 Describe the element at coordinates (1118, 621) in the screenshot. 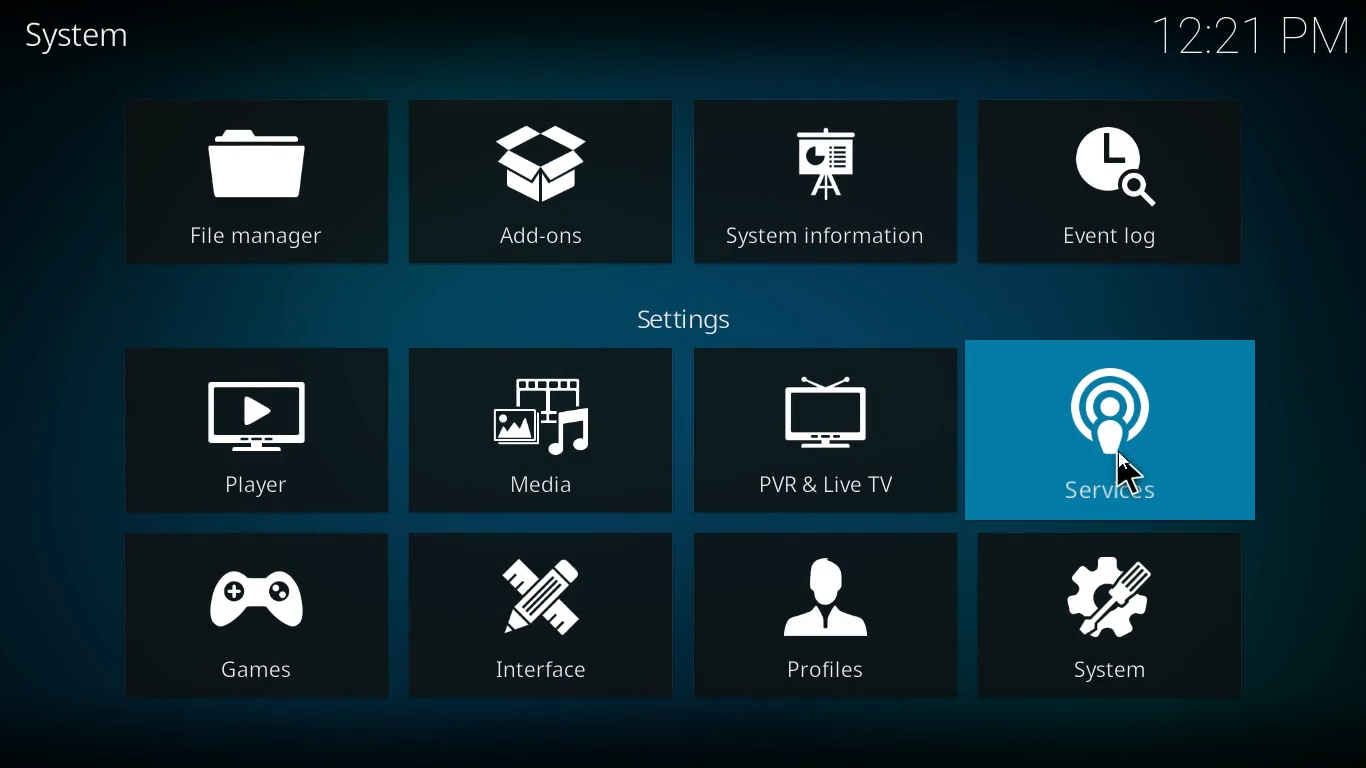

I see `system` at that location.